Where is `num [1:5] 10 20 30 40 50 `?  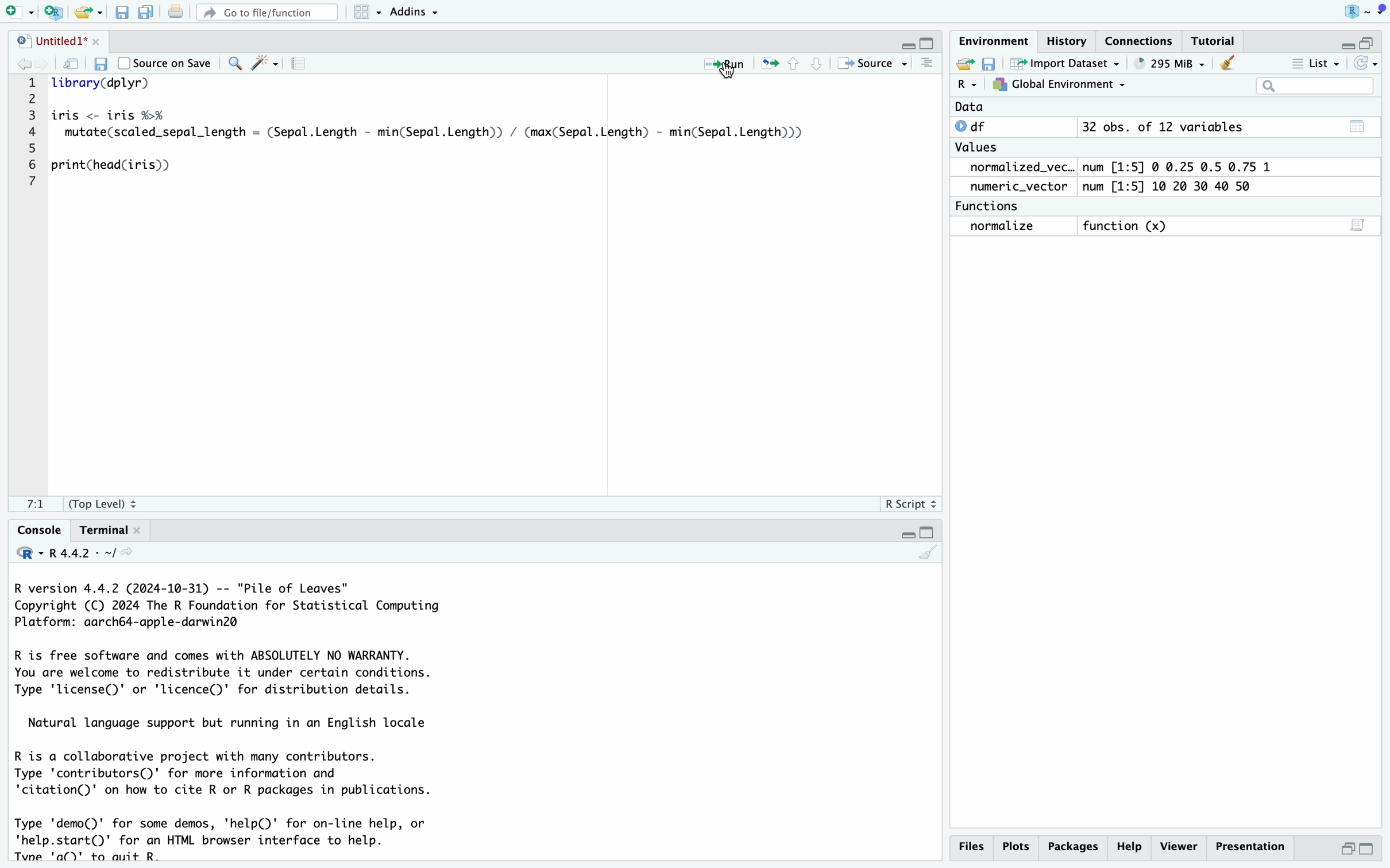
num [1:5] 10 20 30 40 50  is located at coordinates (1172, 187).